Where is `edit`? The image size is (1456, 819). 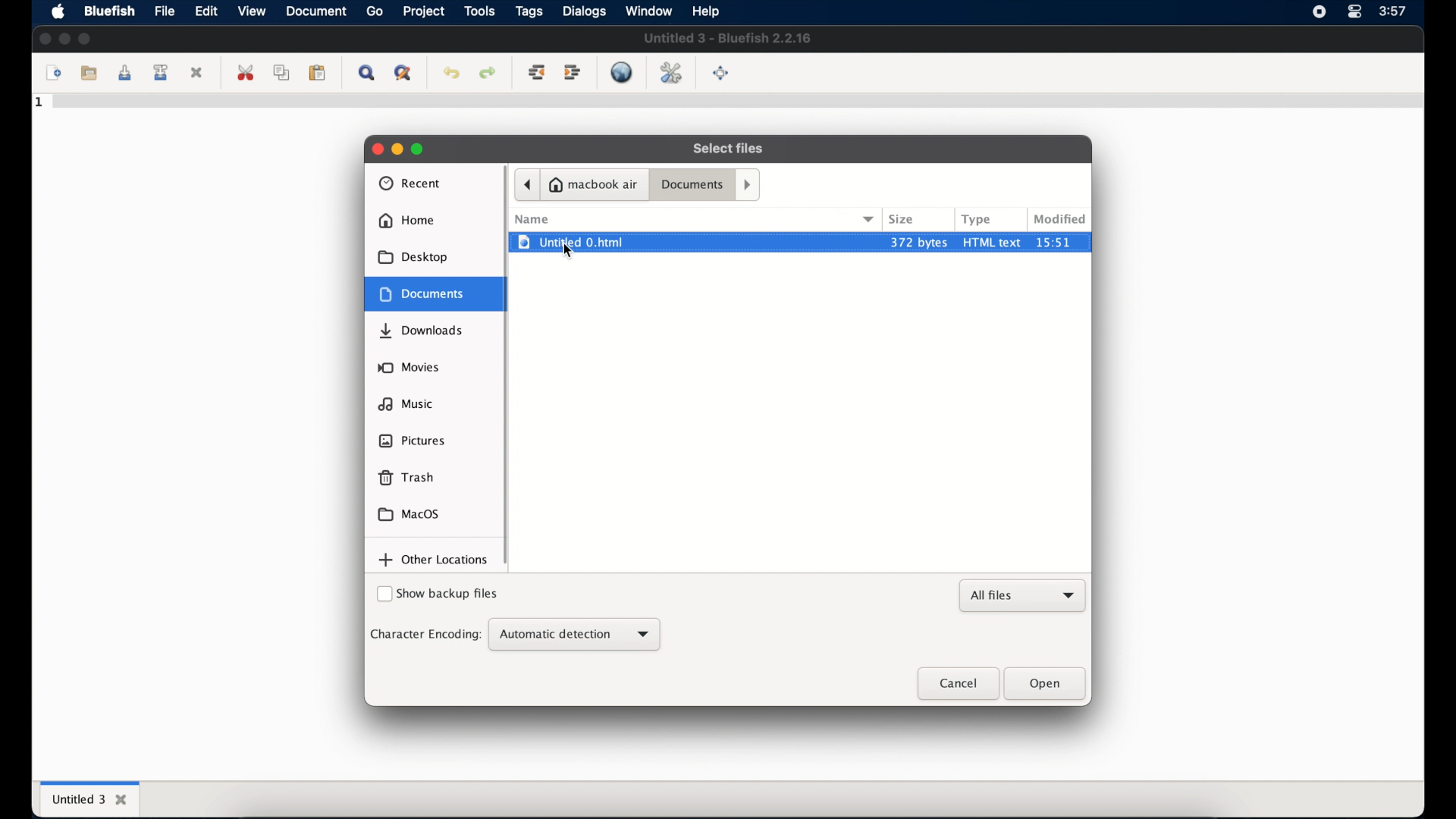
edit is located at coordinates (206, 12).